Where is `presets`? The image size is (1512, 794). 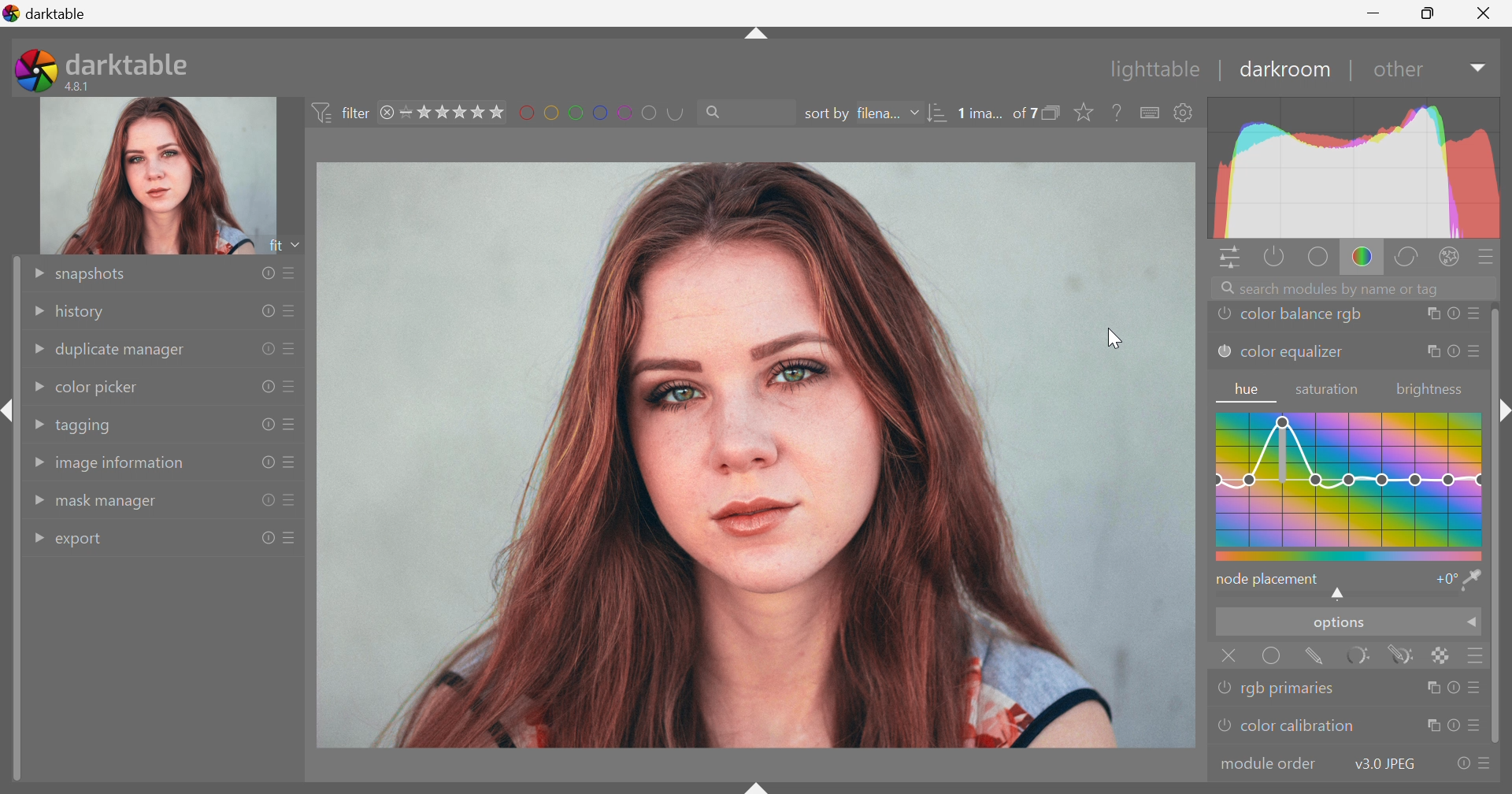
presets is located at coordinates (295, 536).